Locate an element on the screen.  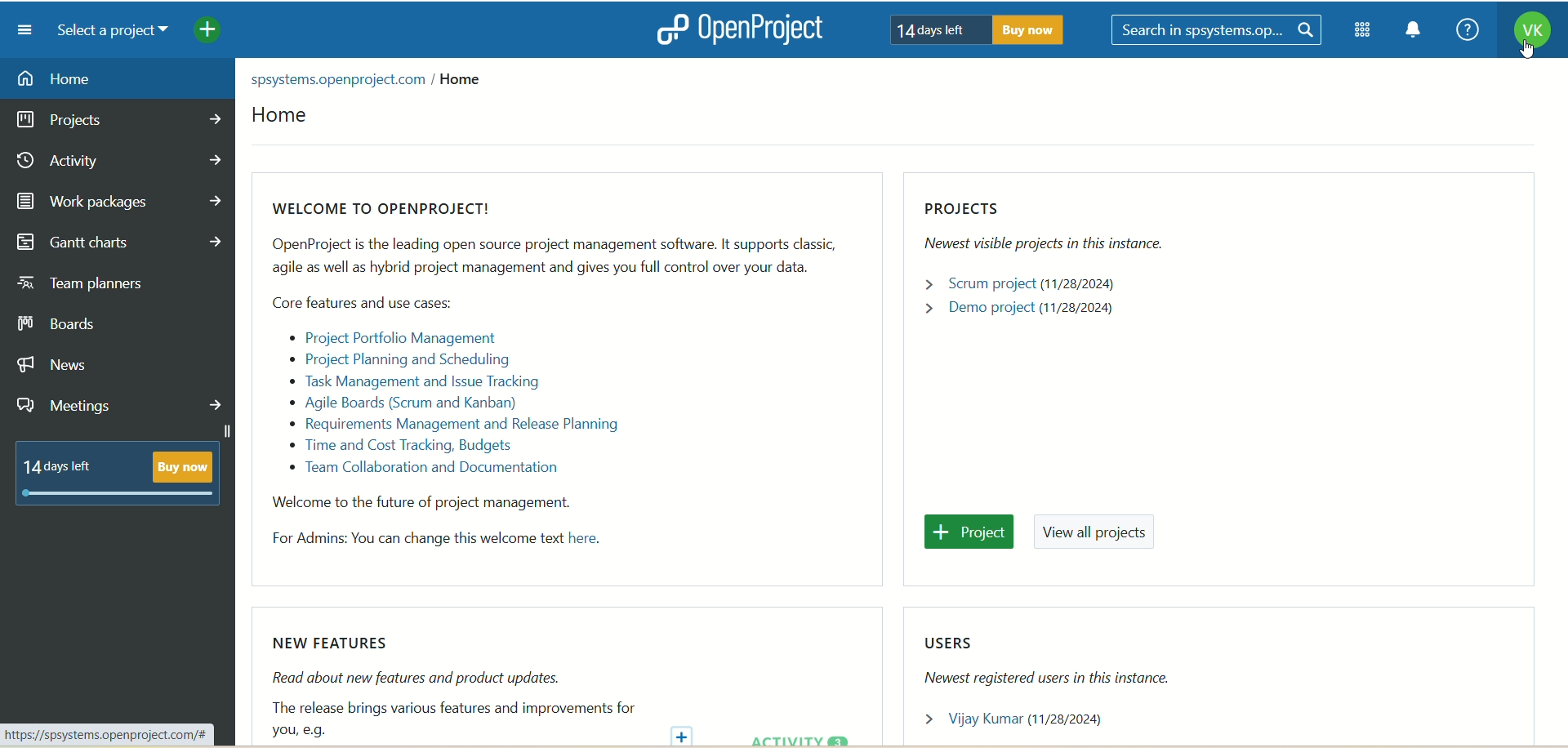
demo project is located at coordinates (1023, 309).